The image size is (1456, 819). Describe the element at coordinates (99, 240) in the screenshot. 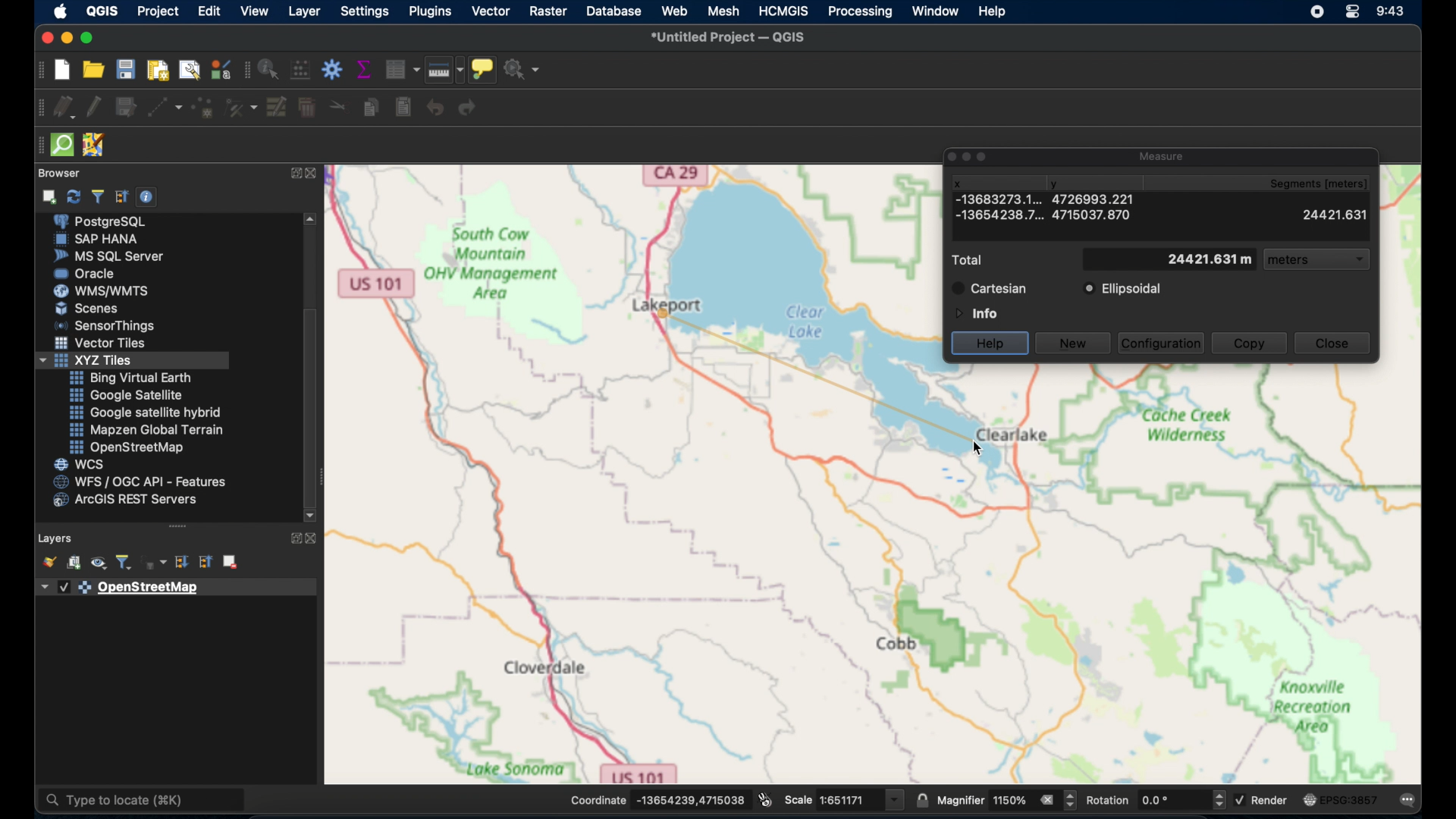

I see `sap hana` at that location.